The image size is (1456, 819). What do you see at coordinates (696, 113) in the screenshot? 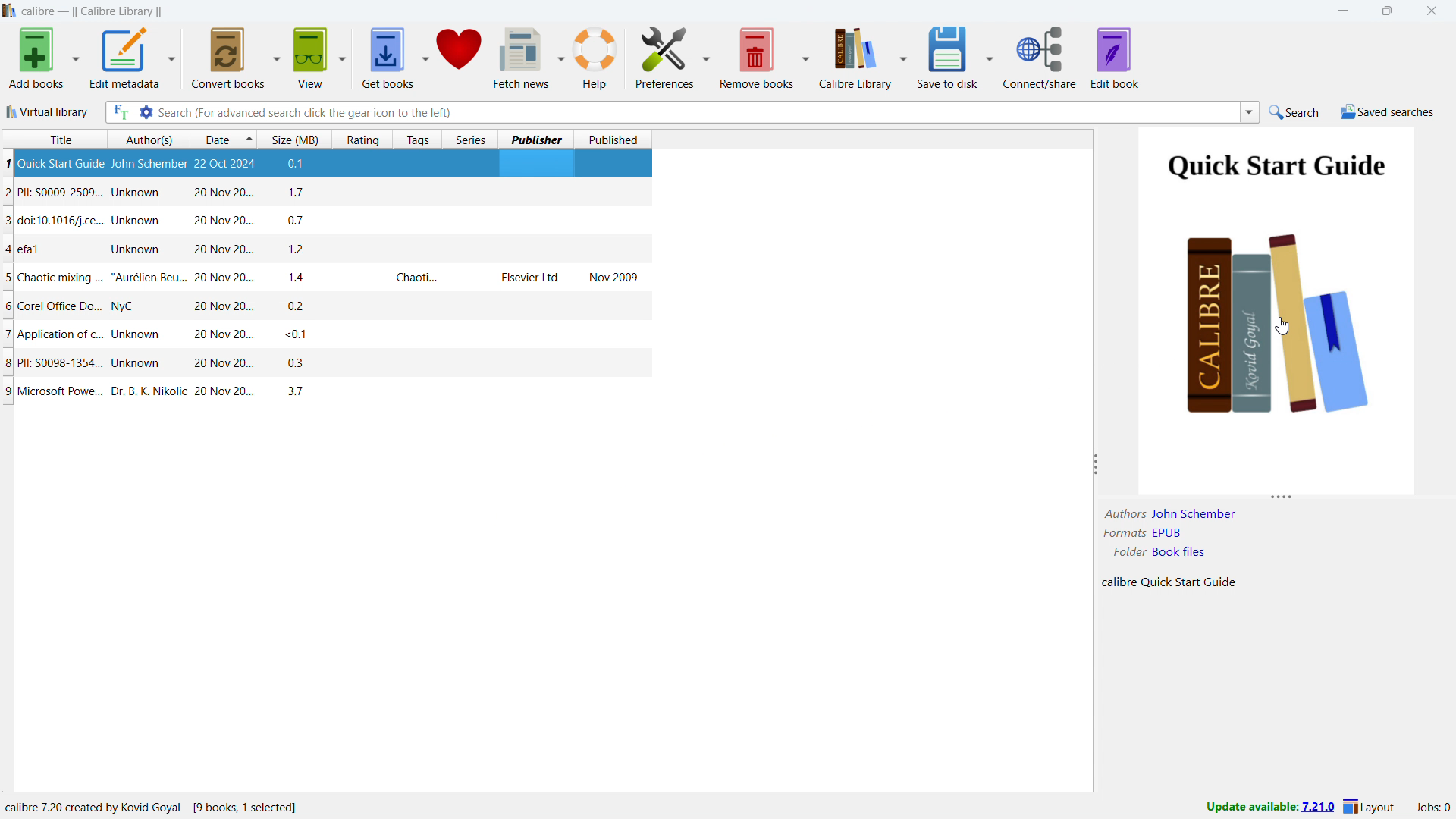
I see `search (For advance search click the gear icon to the left)` at bounding box center [696, 113].